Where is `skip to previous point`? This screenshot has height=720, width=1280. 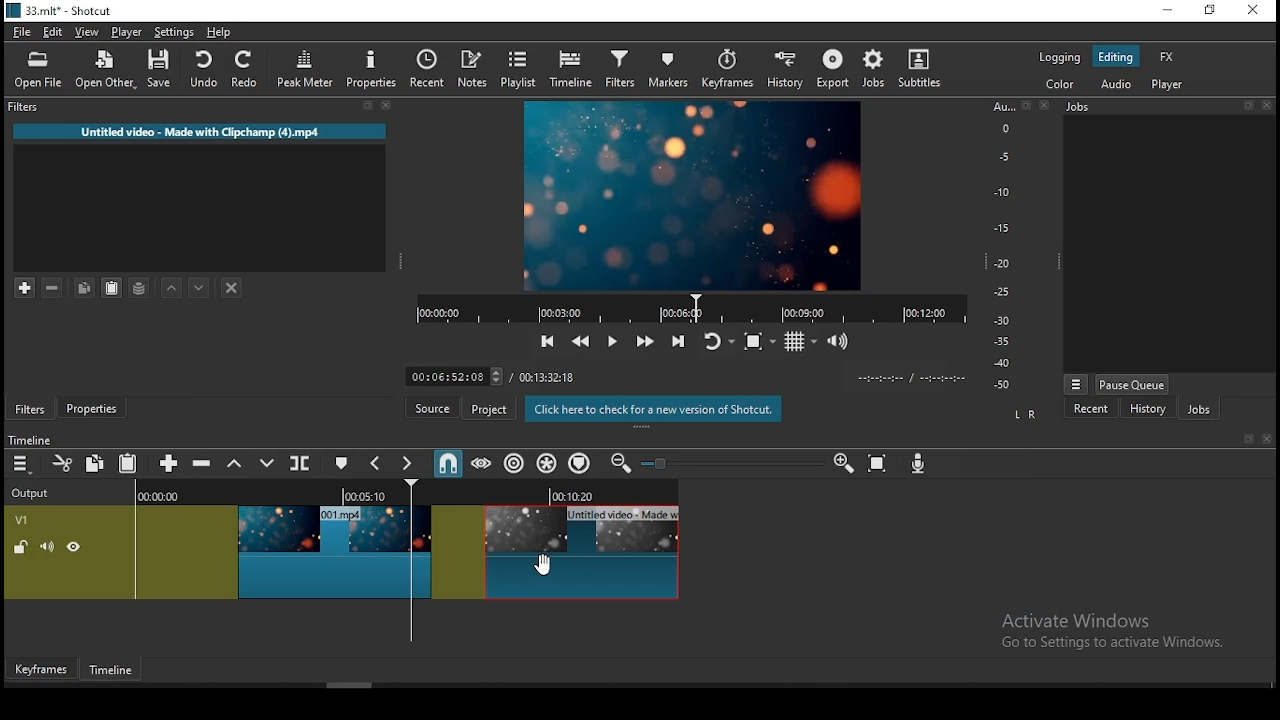 skip to previous point is located at coordinates (548, 342).